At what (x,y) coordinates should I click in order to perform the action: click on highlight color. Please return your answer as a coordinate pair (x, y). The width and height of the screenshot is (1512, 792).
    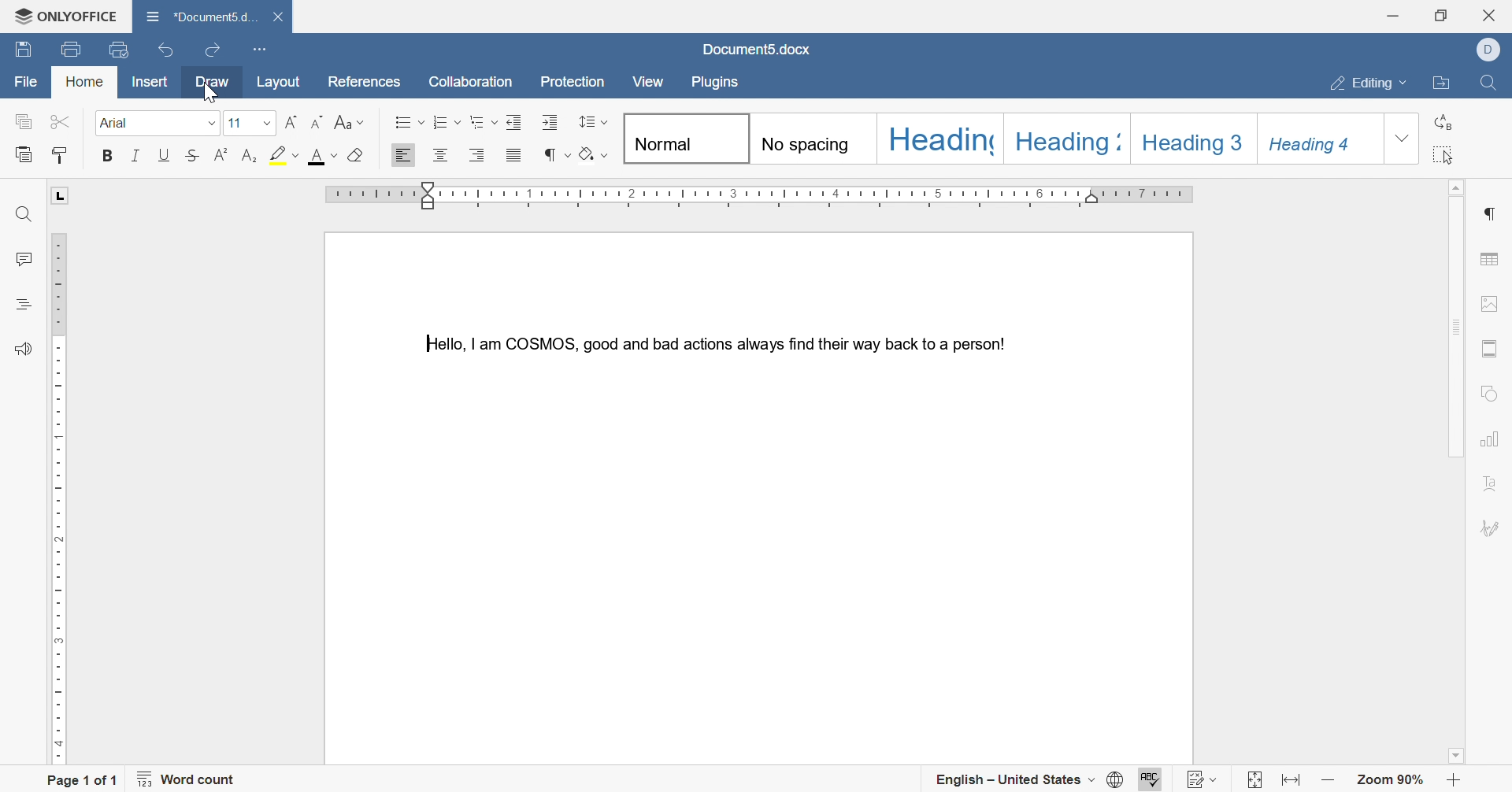
    Looking at the image, I should click on (281, 154).